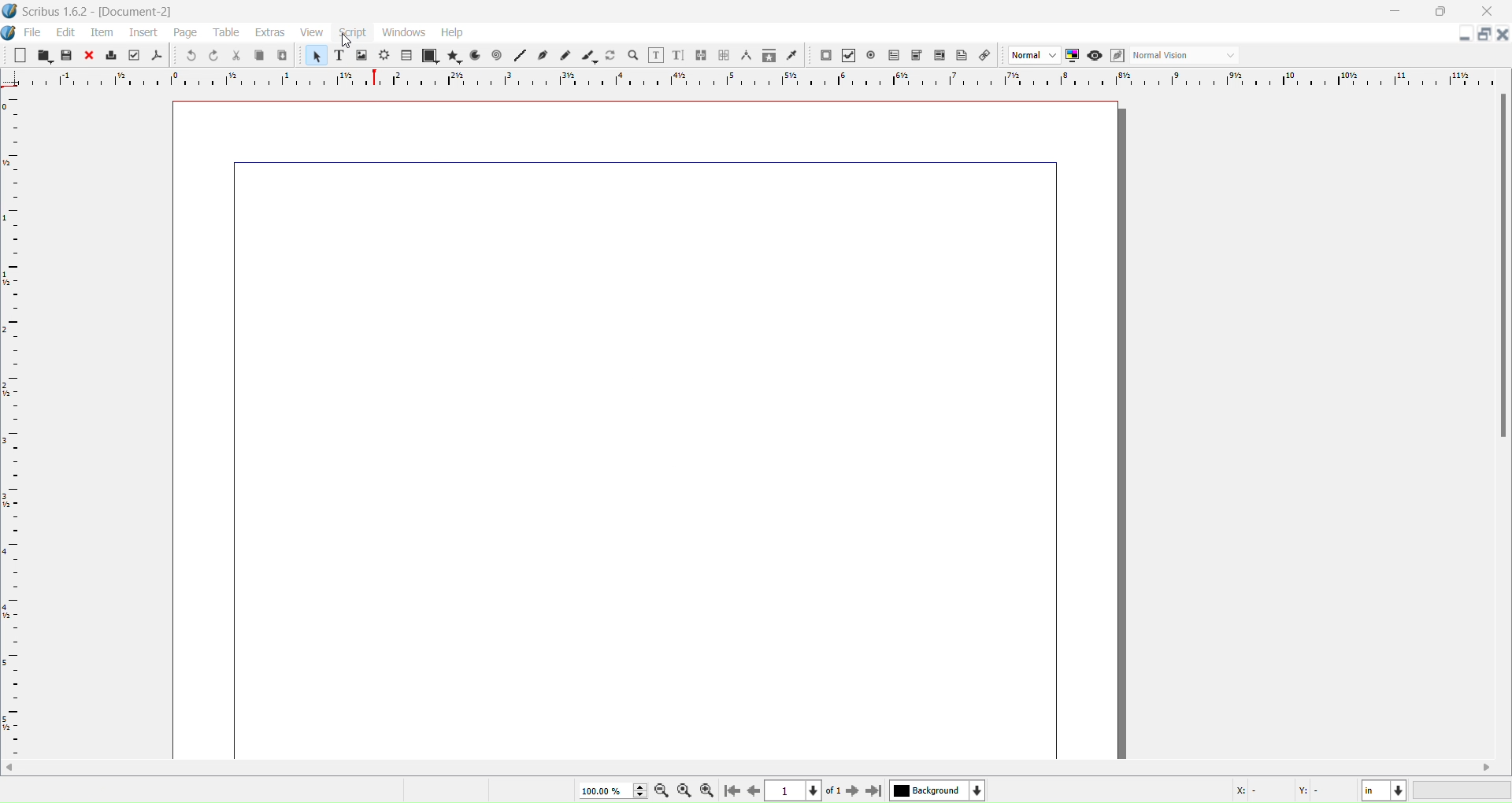  Describe the element at coordinates (1395, 13) in the screenshot. I see `Minimize` at that location.